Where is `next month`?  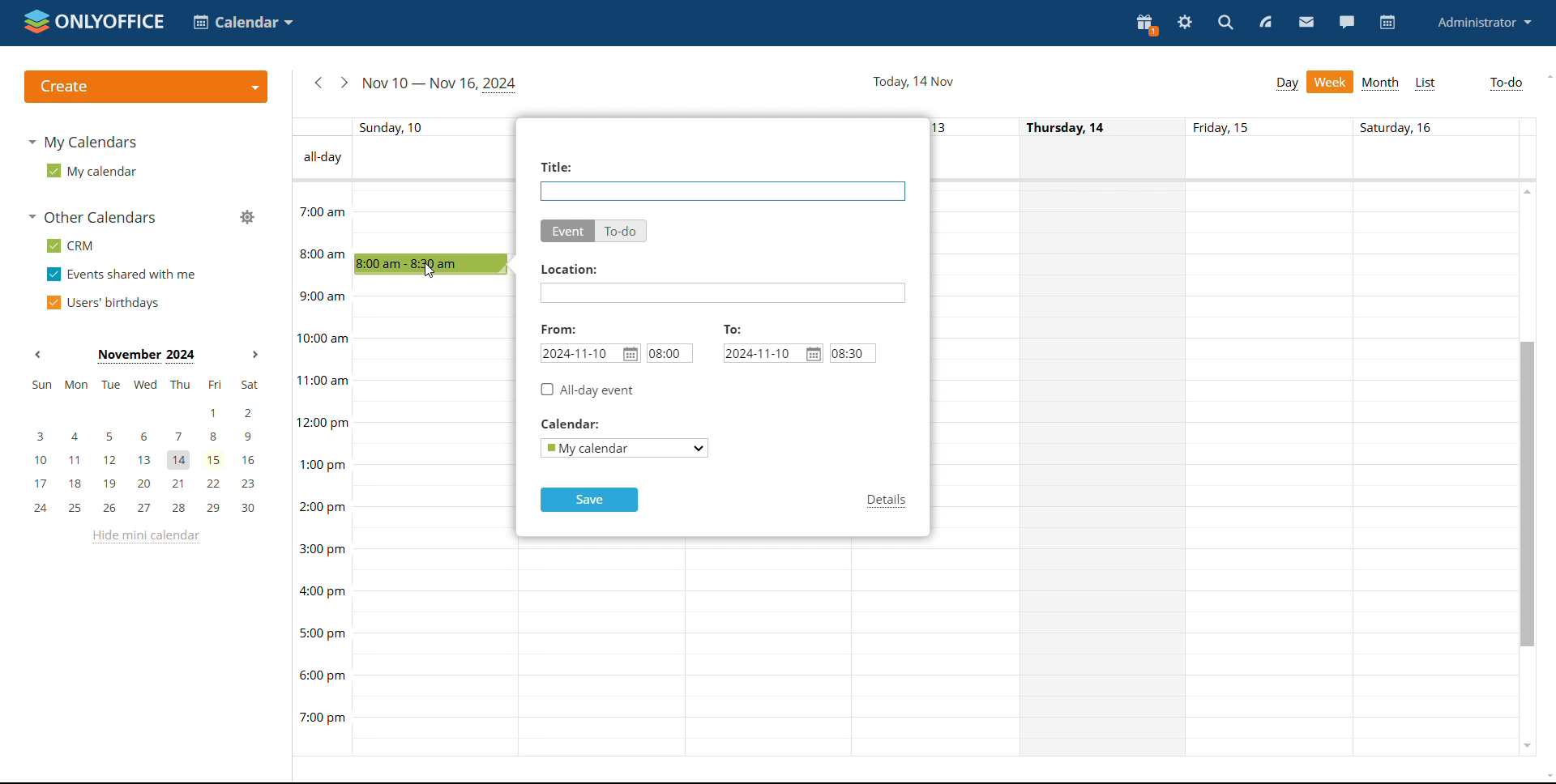
next month is located at coordinates (254, 355).